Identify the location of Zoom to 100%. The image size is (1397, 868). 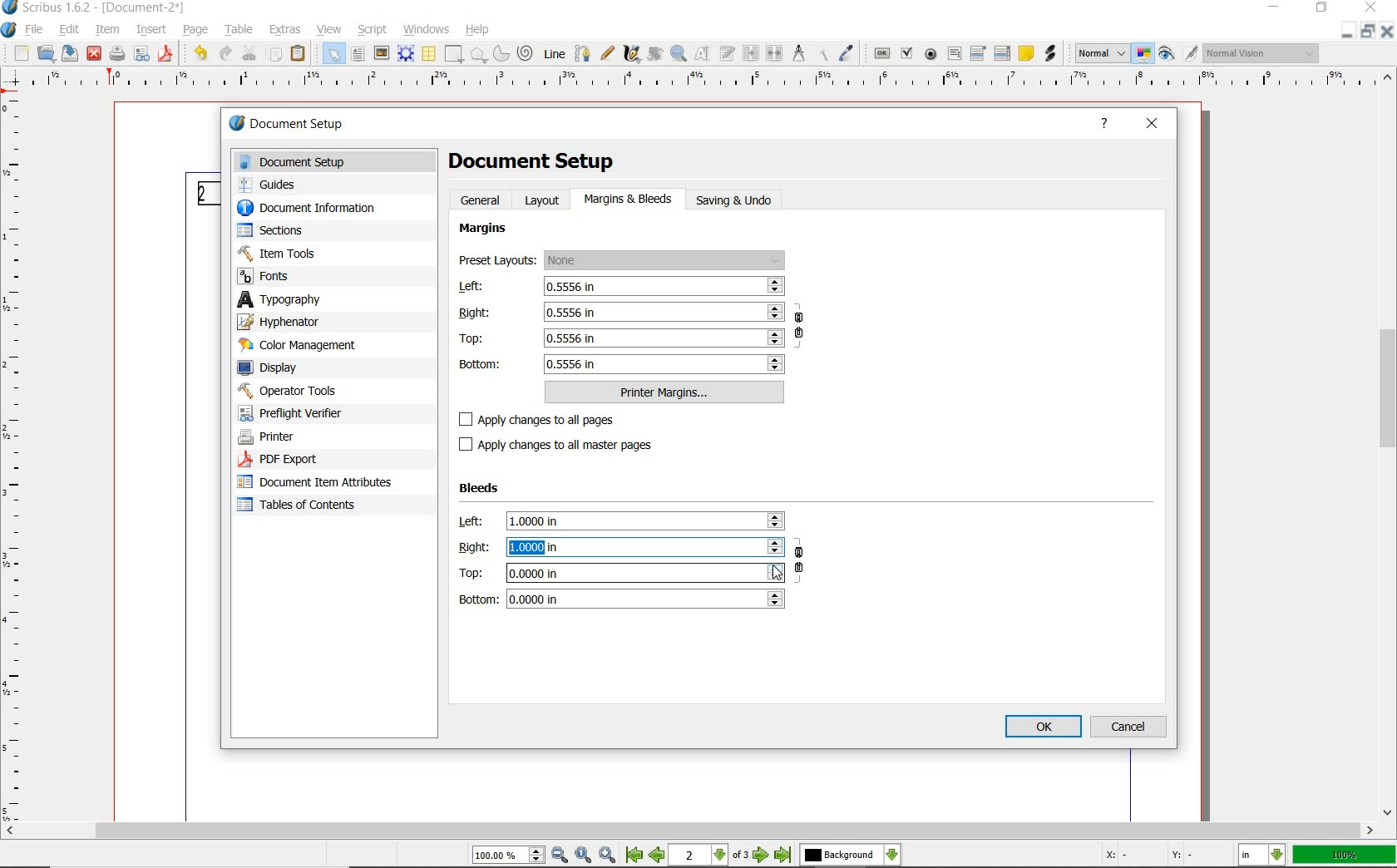
(584, 856).